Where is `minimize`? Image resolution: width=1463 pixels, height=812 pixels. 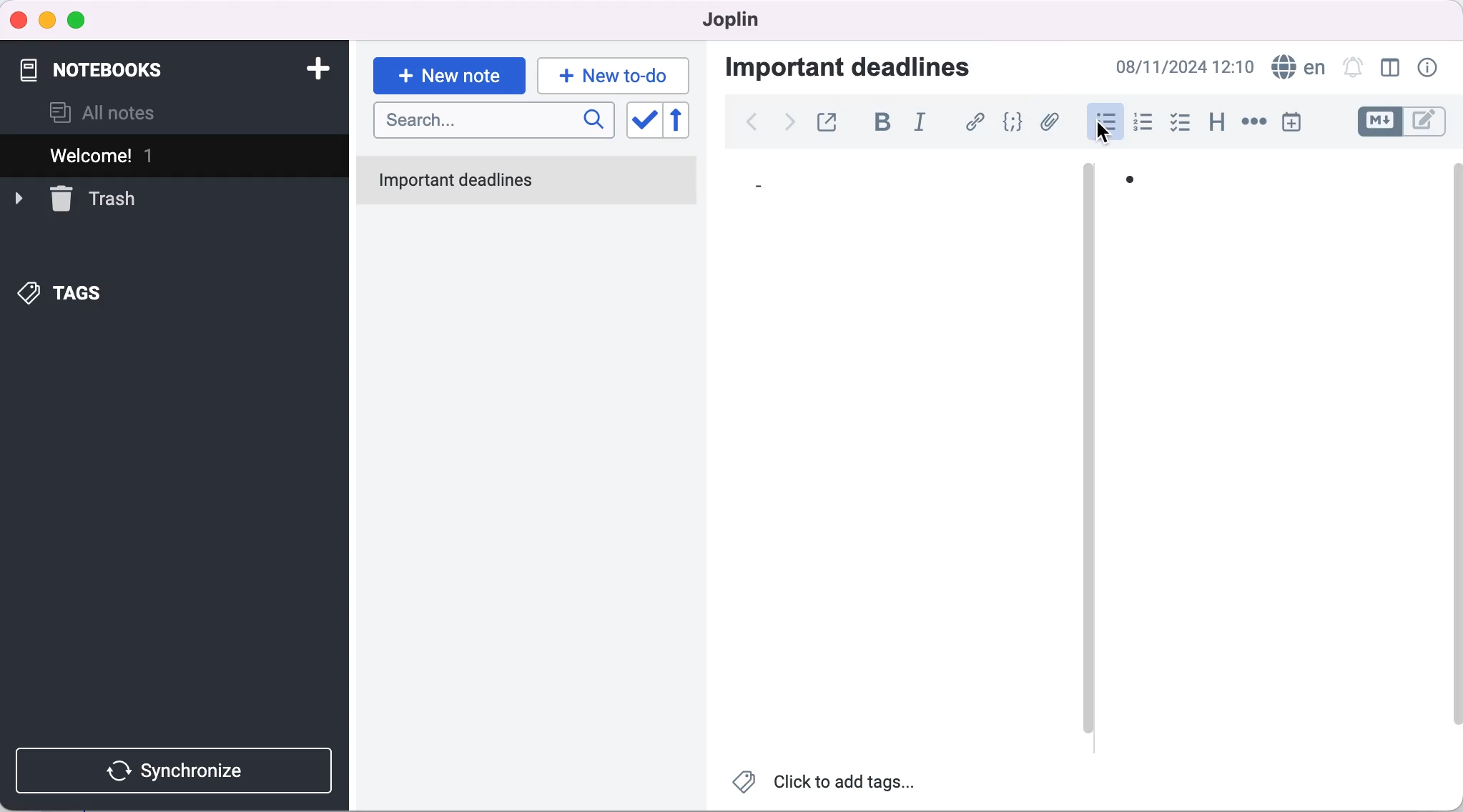
minimize is located at coordinates (49, 19).